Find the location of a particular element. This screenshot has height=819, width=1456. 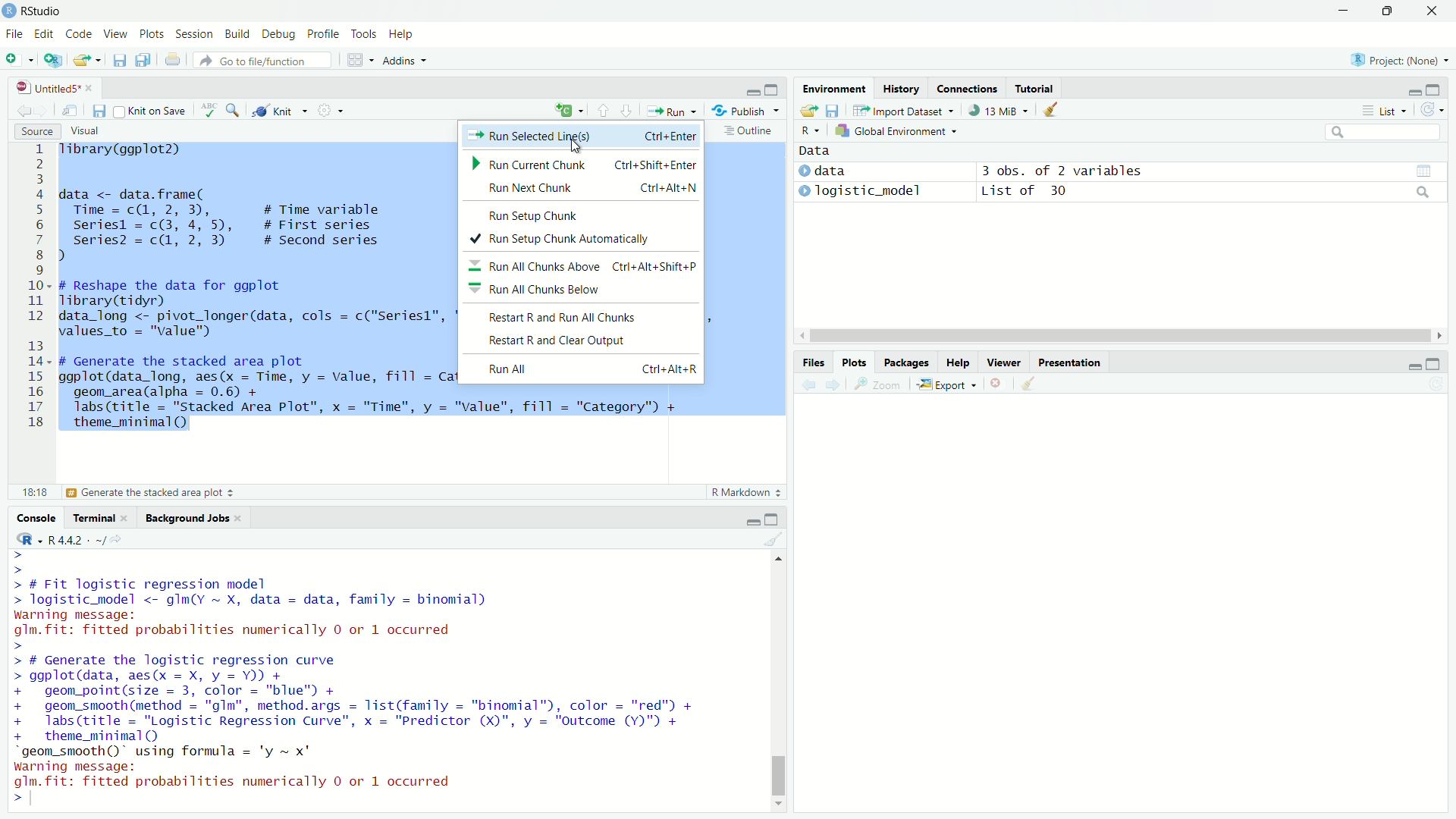

minimise is located at coordinates (1341, 11).